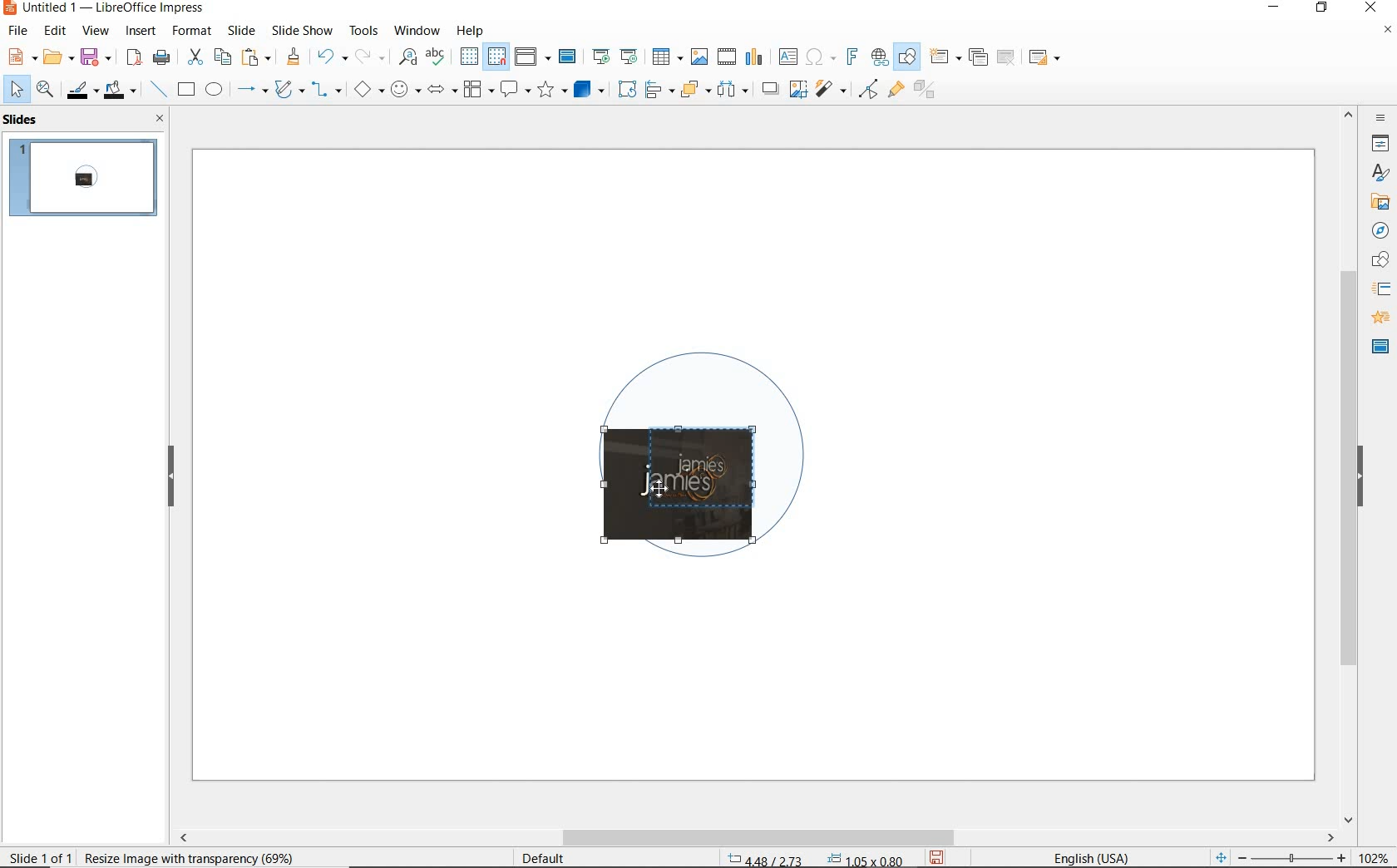 Image resolution: width=1397 pixels, height=868 pixels. What do you see at coordinates (892, 91) in the screenshot?
I see `show gluepoint functions` at bounding box center [892, 91].